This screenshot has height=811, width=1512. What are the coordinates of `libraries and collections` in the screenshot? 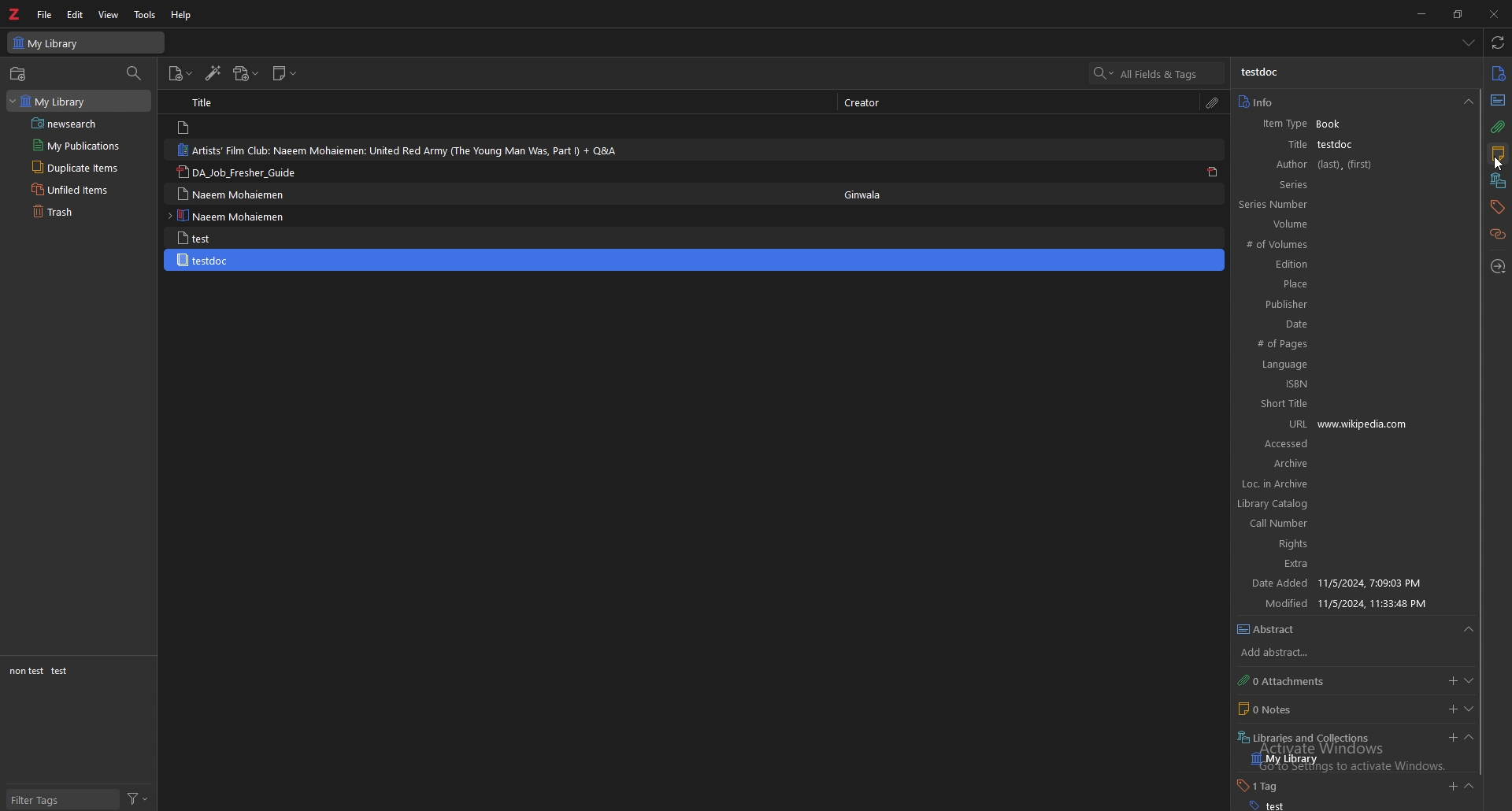 It's located at (1305, 738).